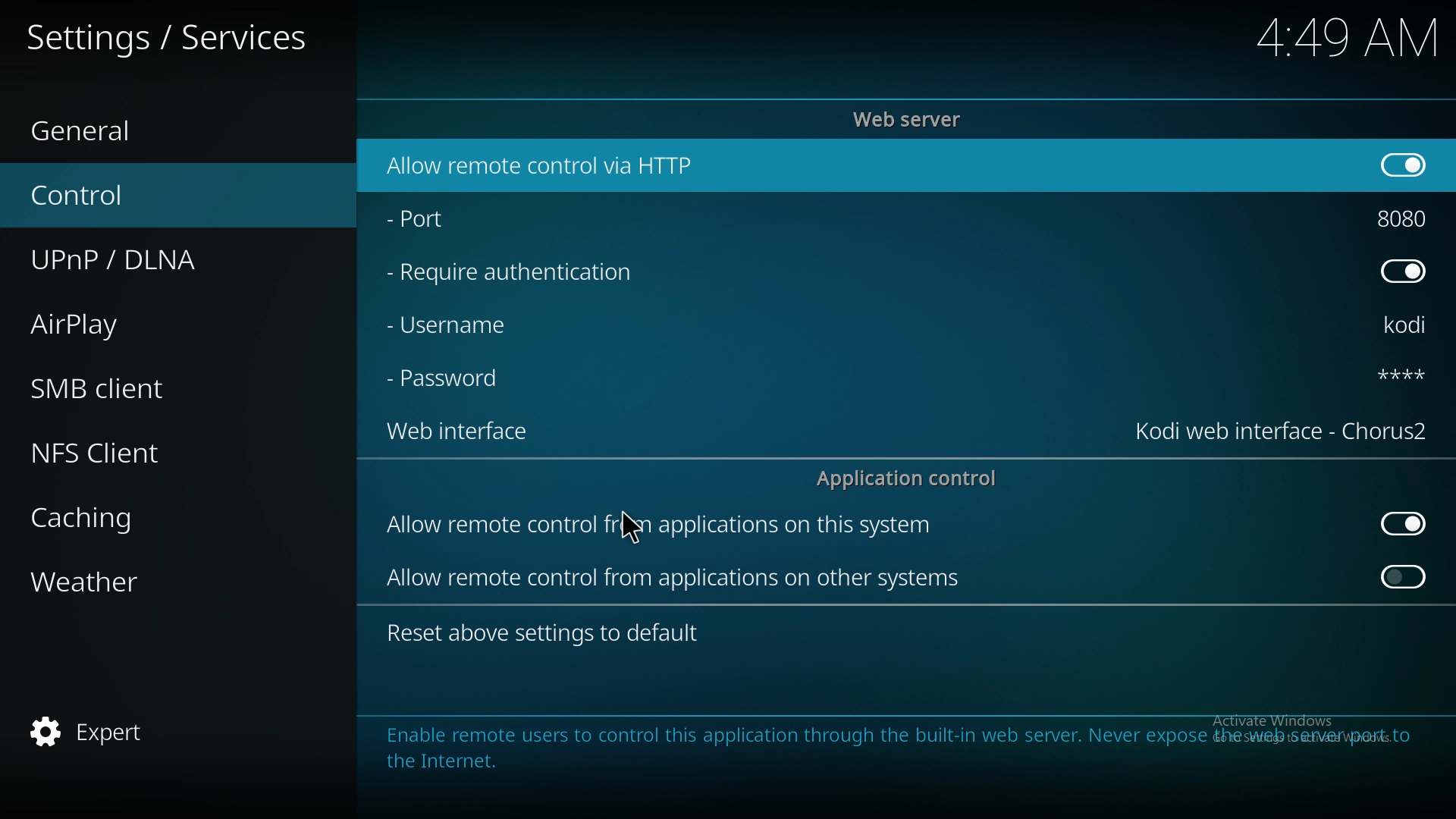 Image resolution: width=1456 pixels, height=819 pixels. What do you see at coordinates (579, 165) in the screenshot?
I see `allow remote control via http` at bounding box center [579, 165].